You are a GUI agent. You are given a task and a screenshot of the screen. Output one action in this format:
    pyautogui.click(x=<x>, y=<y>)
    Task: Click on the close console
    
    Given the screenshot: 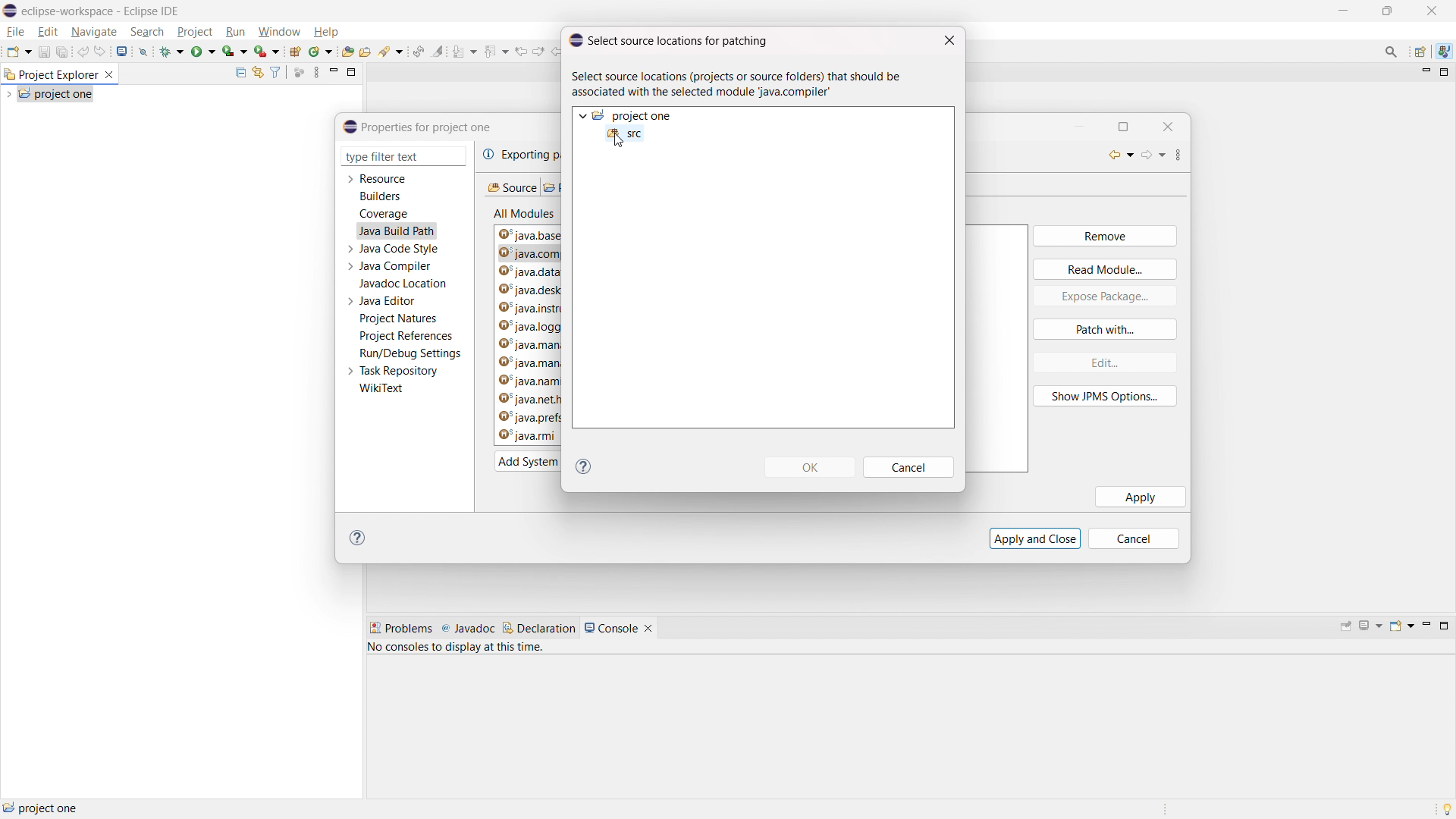 What is the action you would take?
    pyautogui.click(x=648, y=629)
    